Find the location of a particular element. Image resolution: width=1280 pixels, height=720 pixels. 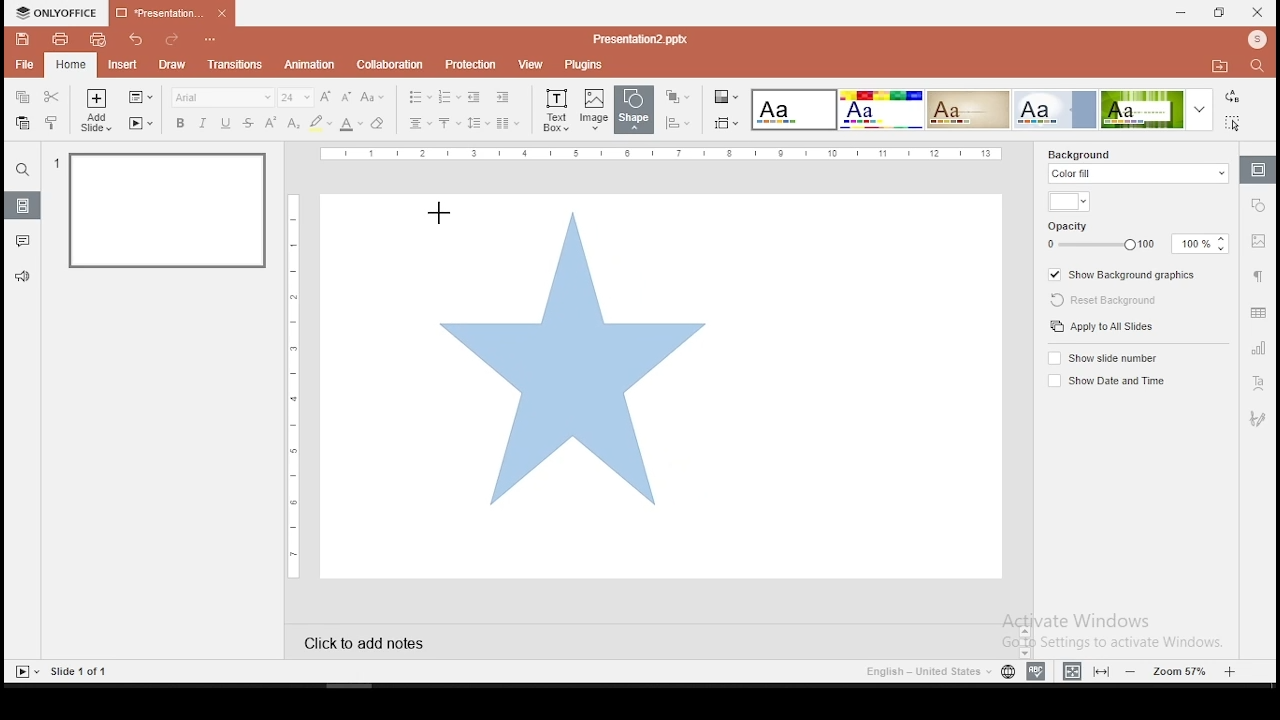

apply to all slides is located at coordinates (1104, 326).